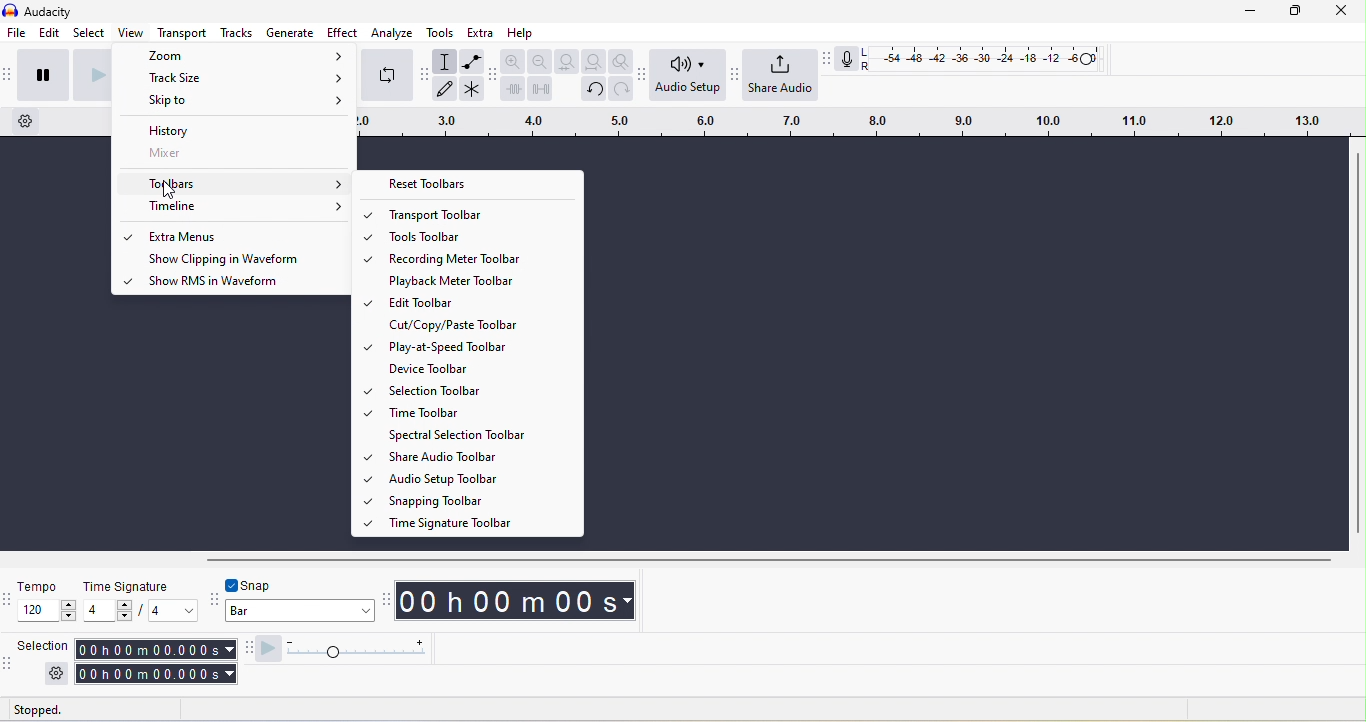 This screenshot has width=1366, height=722. What do you see at coordinates (424, 74) in the screenshot?
I see `audacity tools toolbar` at bounding box center [424, 74].